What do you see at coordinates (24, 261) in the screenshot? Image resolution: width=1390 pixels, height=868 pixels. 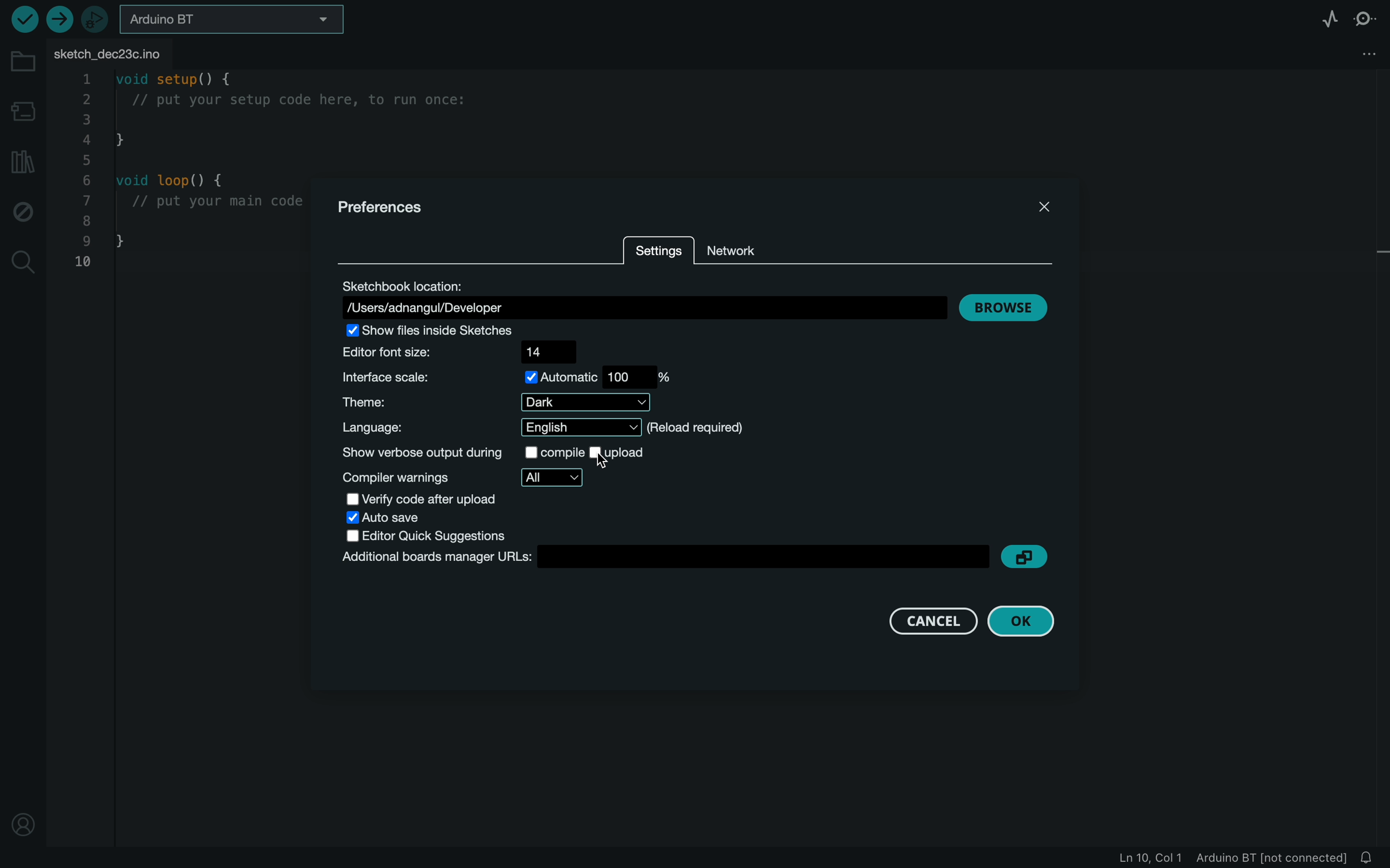 I see `search` at bounding box center [24, 261].